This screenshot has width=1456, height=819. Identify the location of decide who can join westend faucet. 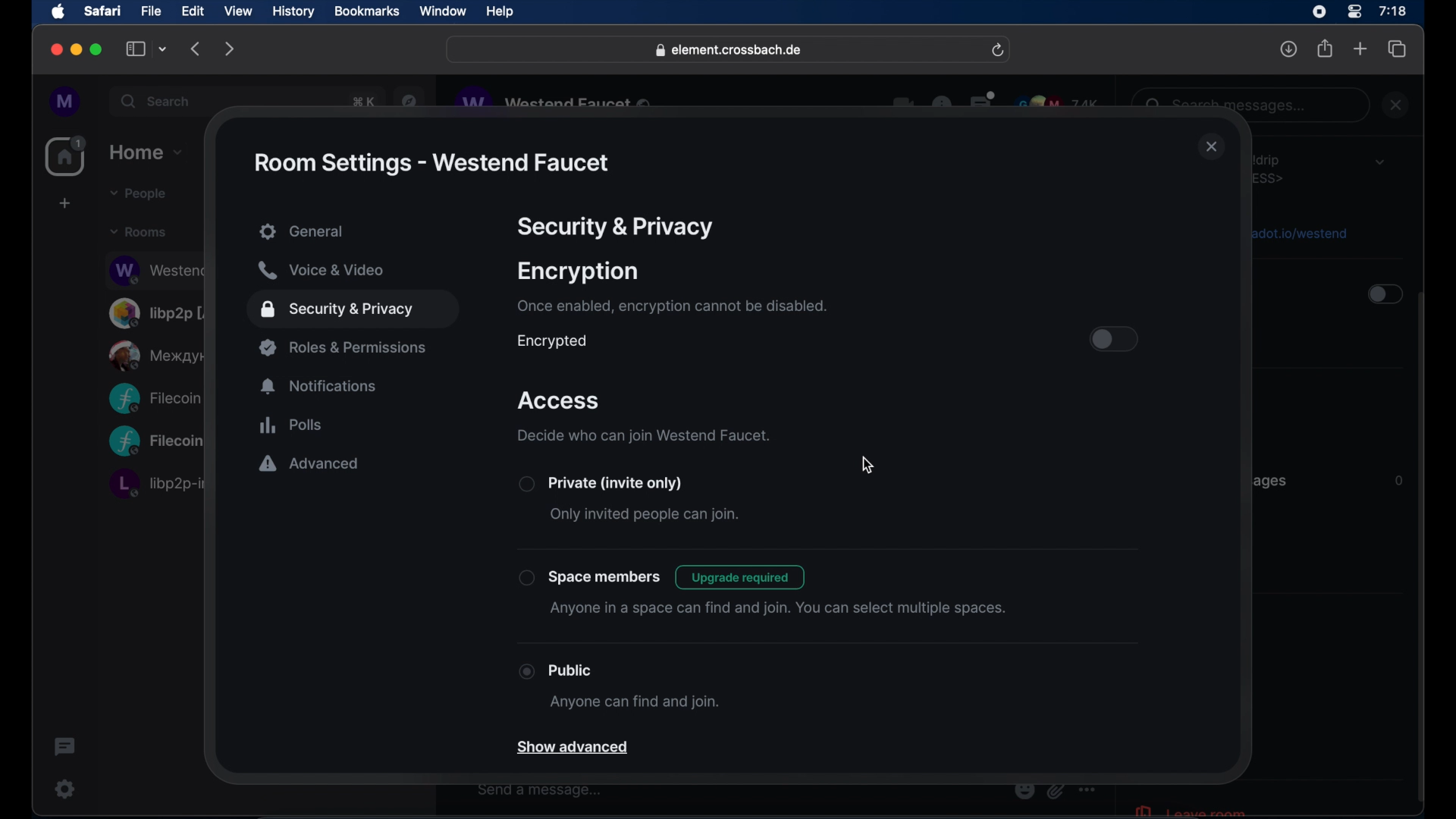
(644, 436).